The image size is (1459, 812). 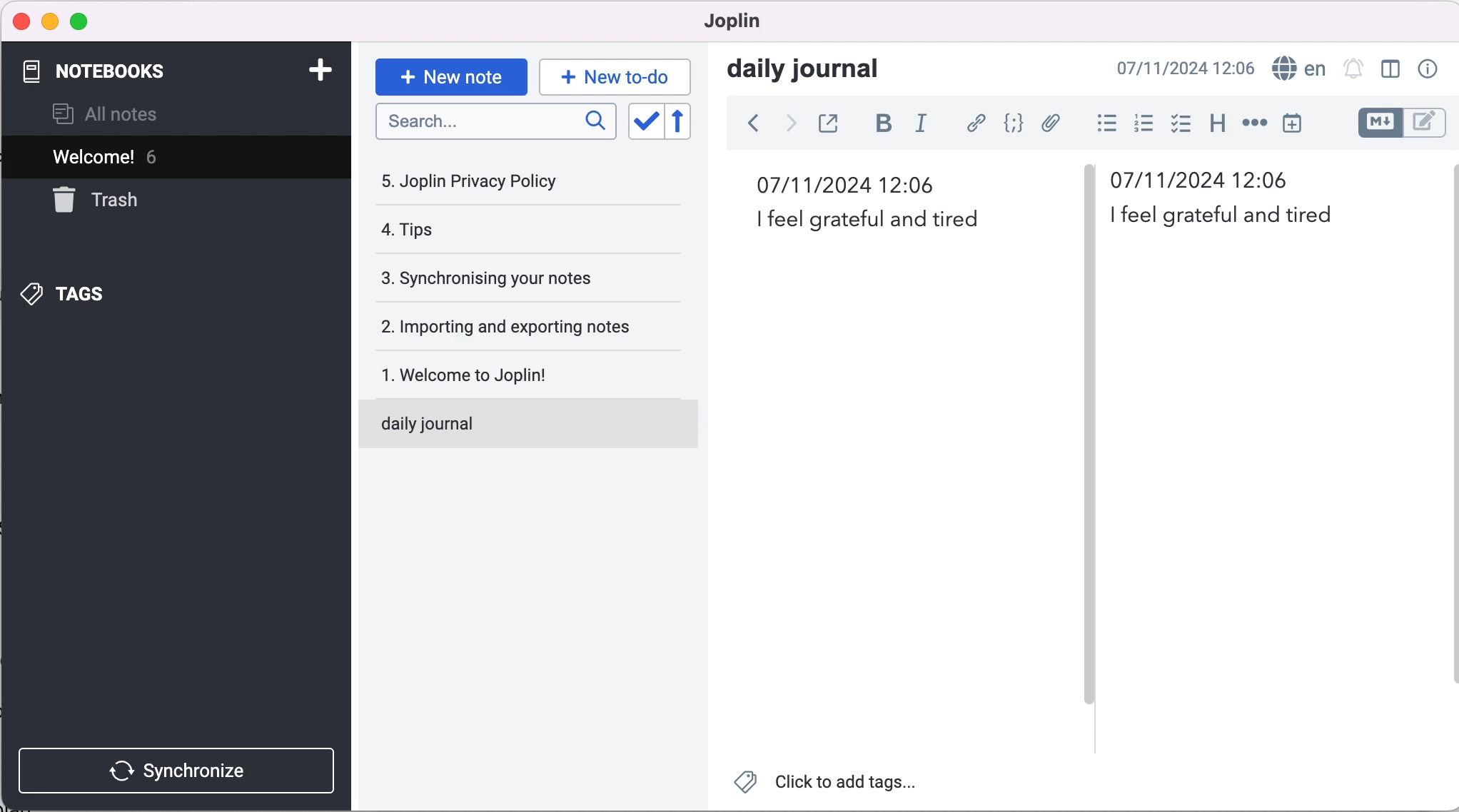 I want to click on time and date, so click(x=1186, y=69).